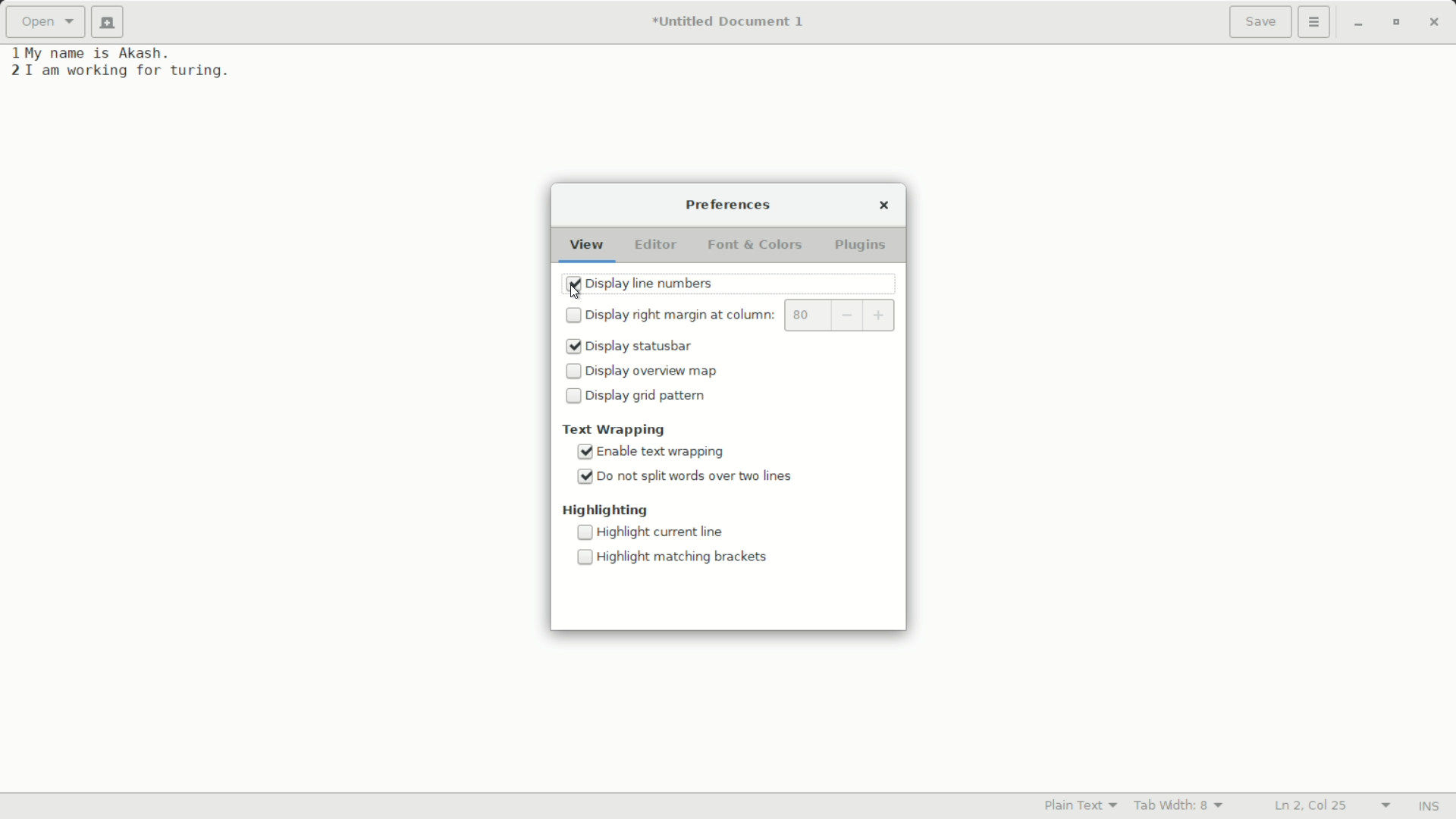 This screenshot has height=819, width=1456. Describe the element at coordinates (607, 510) in the screenshot. I see `highlighting` at that location.